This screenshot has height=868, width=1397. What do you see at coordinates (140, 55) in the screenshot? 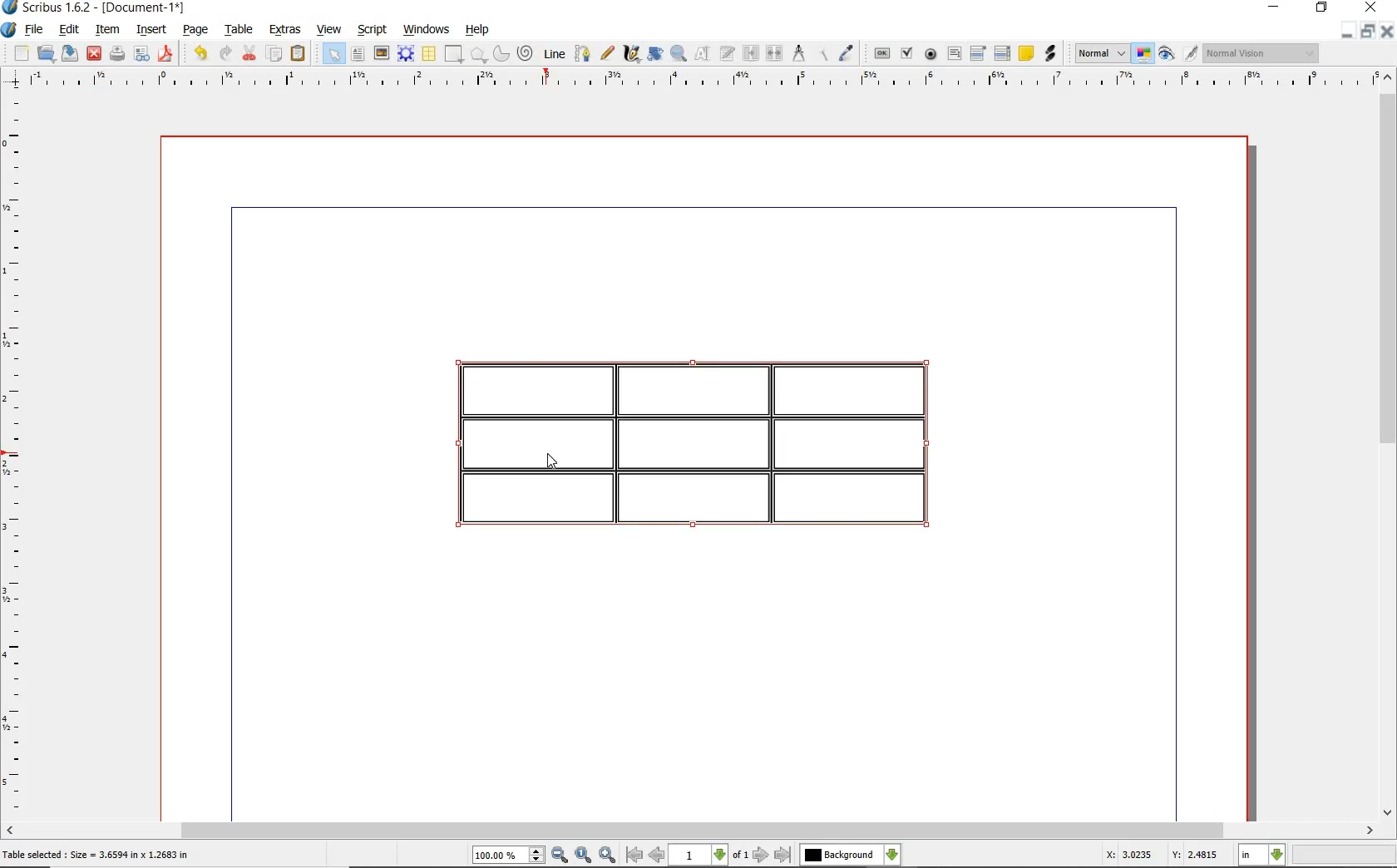
I see `preflight verifier` at bounding box center [140, 55].